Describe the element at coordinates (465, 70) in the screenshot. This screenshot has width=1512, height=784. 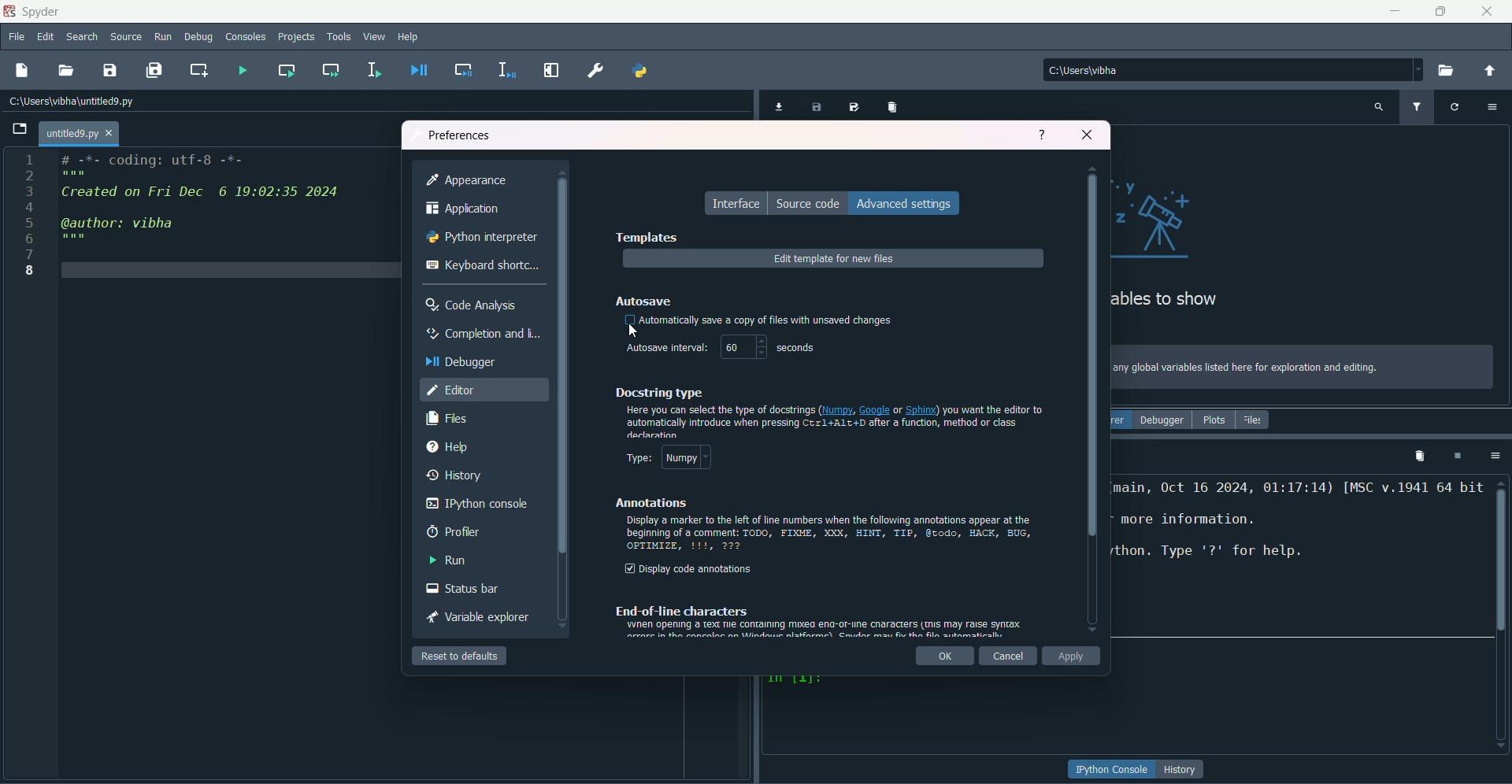
I see `debug cell` at that location.